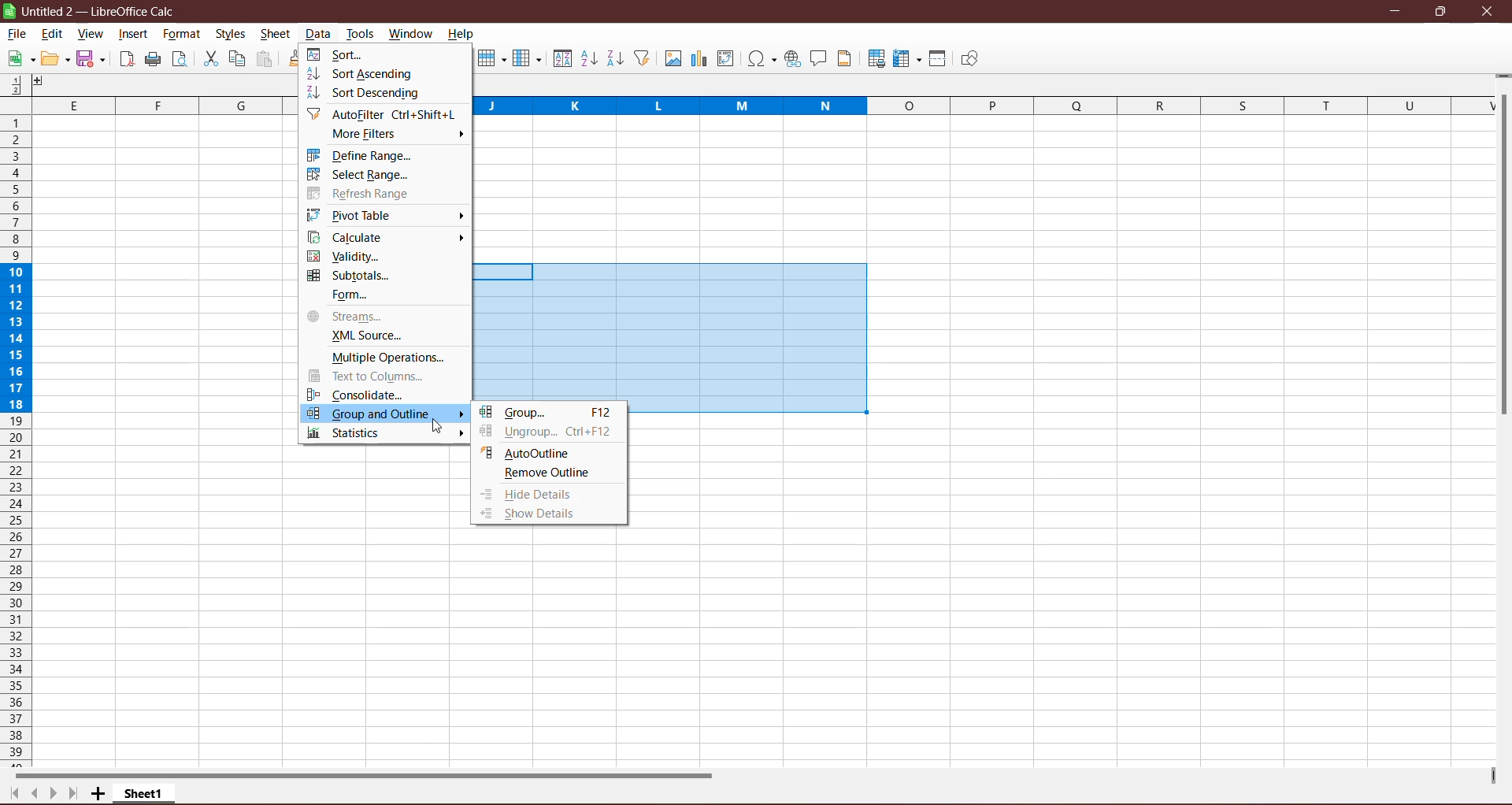 The width and height of the screenshot is (1512, 805). What do you see at coordinates (362, 194) in the screenshot?
I see `Refresh Range` at bounding box center [362, 194].